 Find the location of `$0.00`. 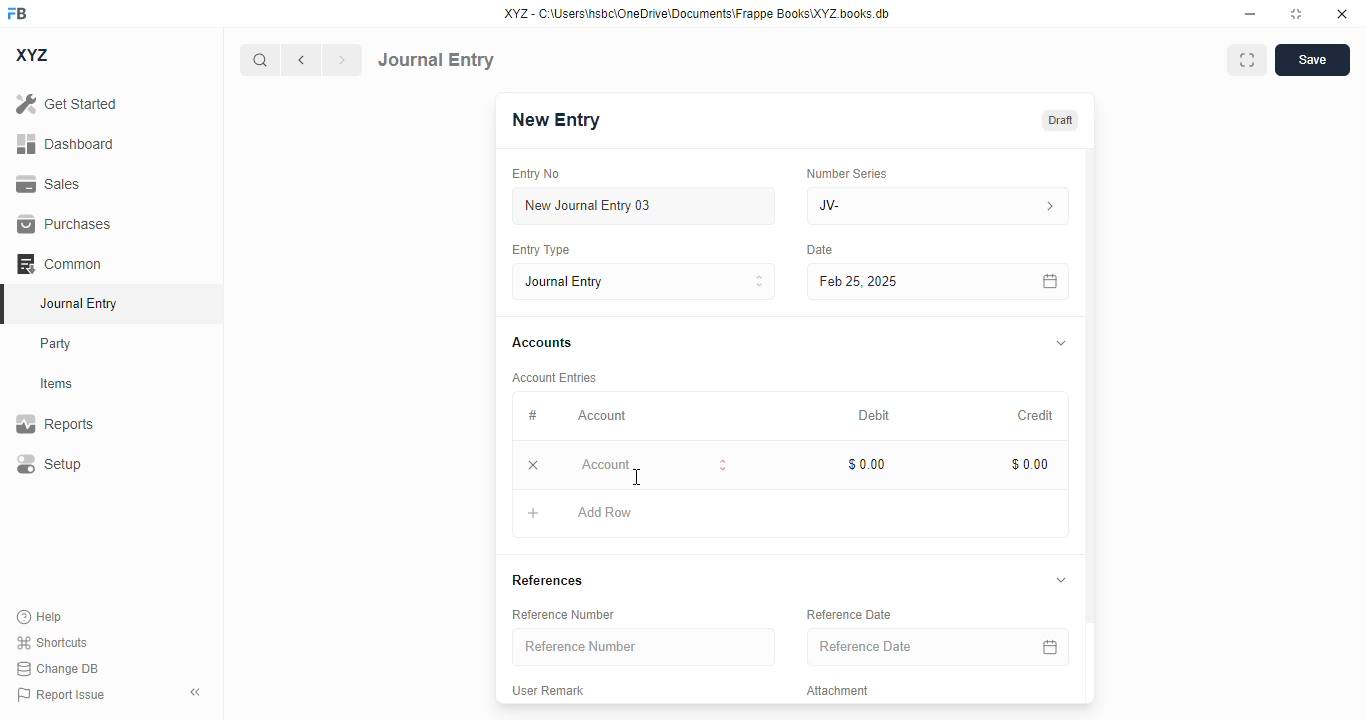

$0.00 is located at coordinates (1031, 464).